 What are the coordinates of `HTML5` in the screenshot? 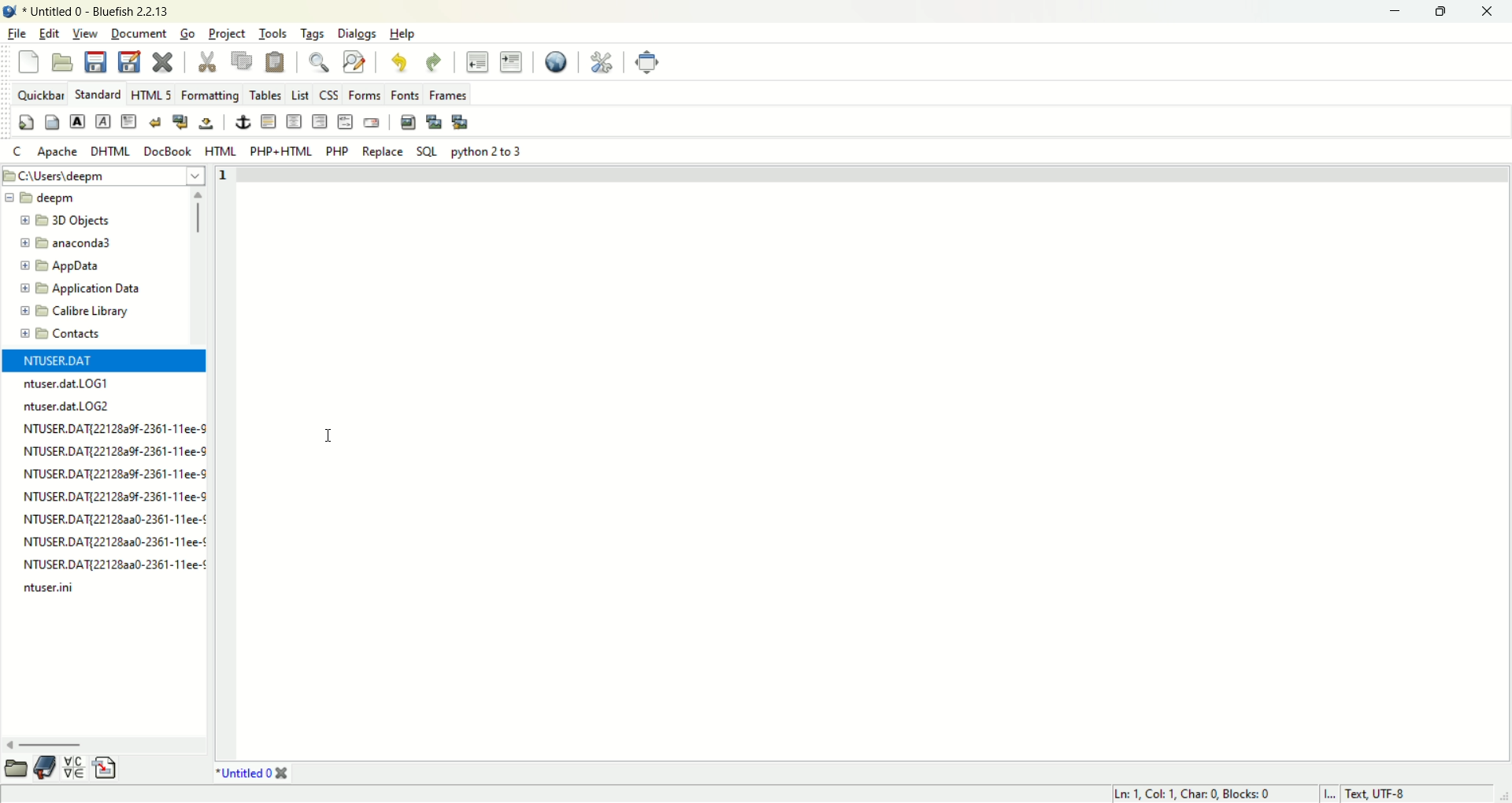 It's located at (150, 94).